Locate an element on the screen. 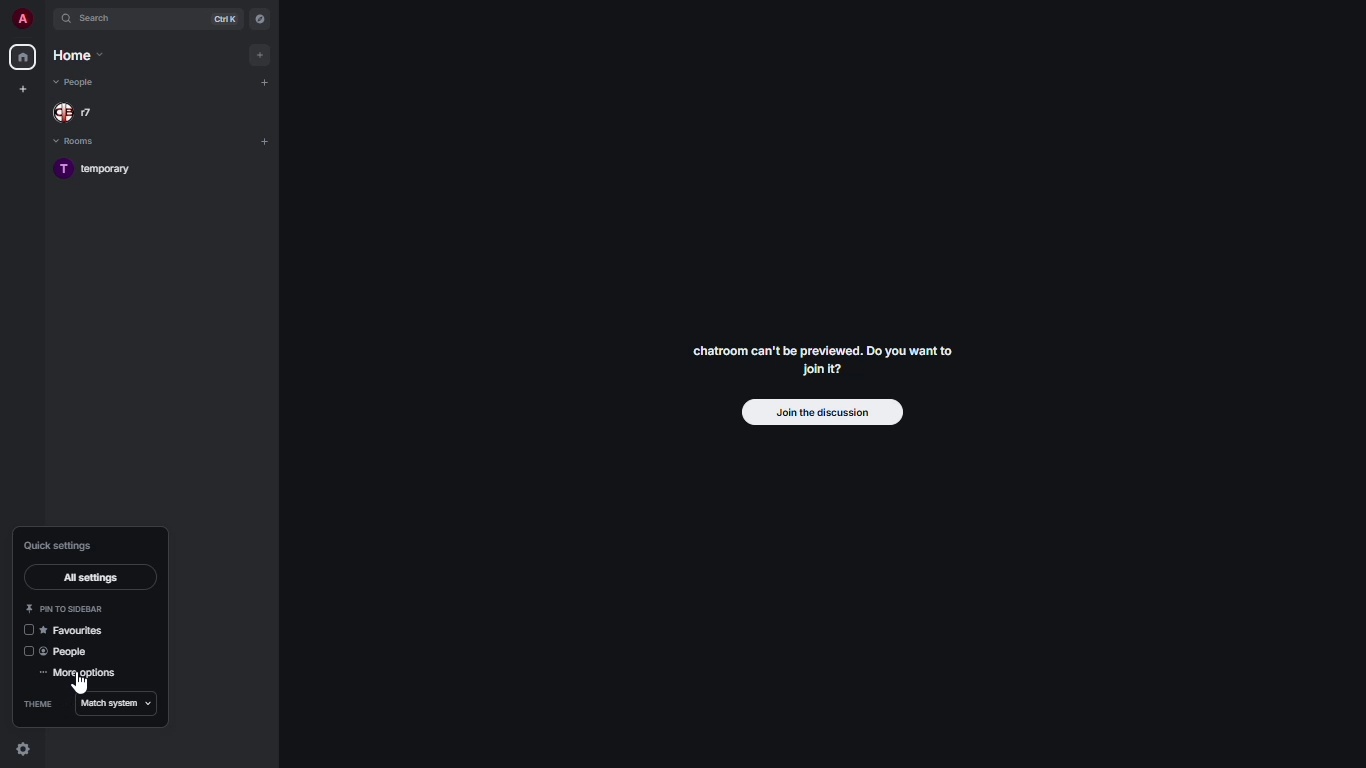 This screenshot has width=1366, height=768. people is located at coordinates (77, 82).